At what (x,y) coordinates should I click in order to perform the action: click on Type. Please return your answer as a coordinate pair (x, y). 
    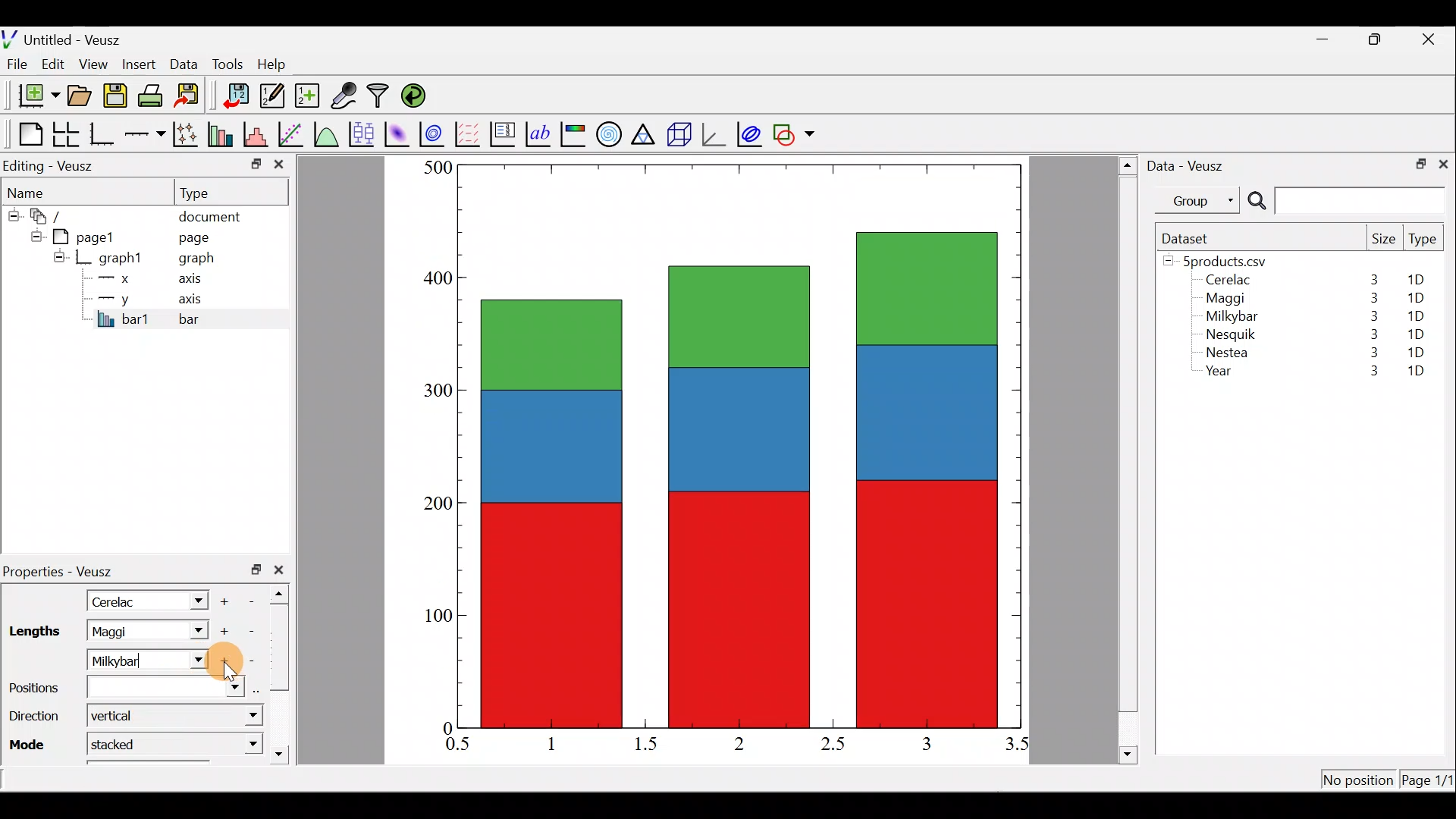
    Looking at the image, I should click on (1424, 243).